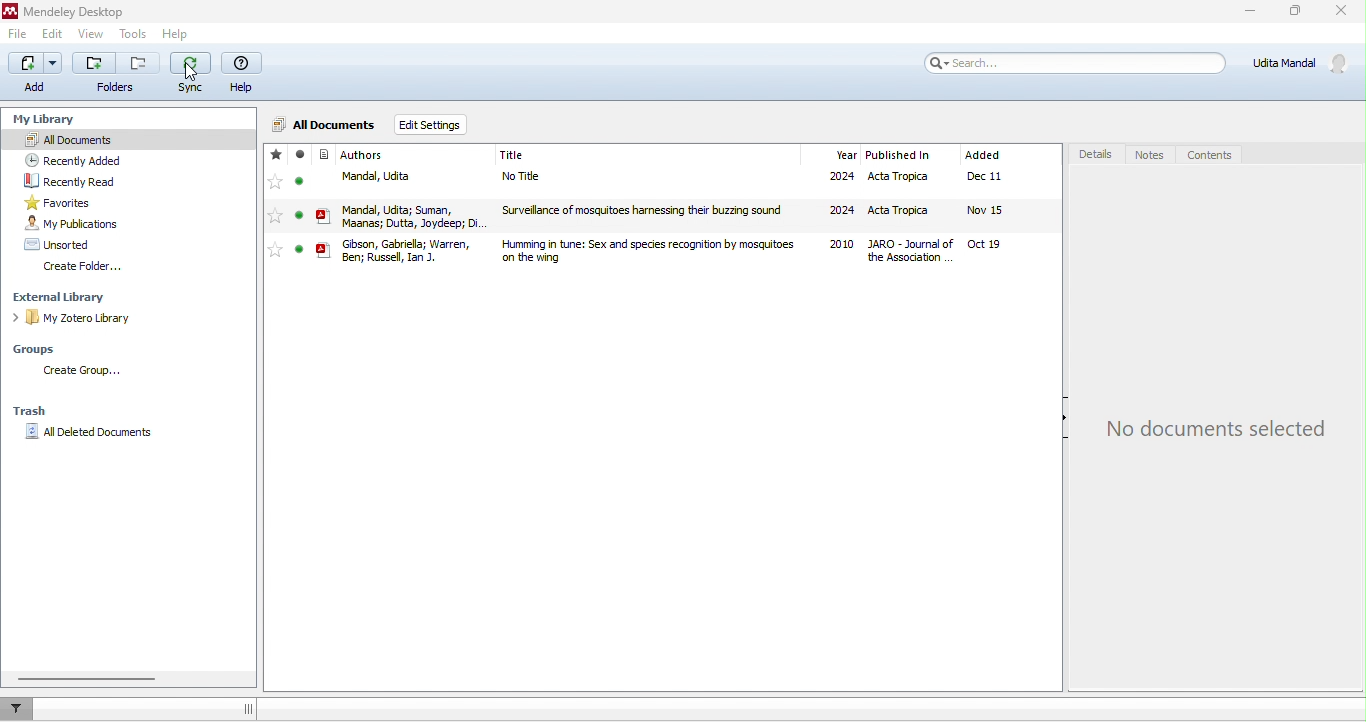 The image size is (1366, 722). Describe the element at coordinates (41, 349) in the screenshot. I see `groups` at that location.